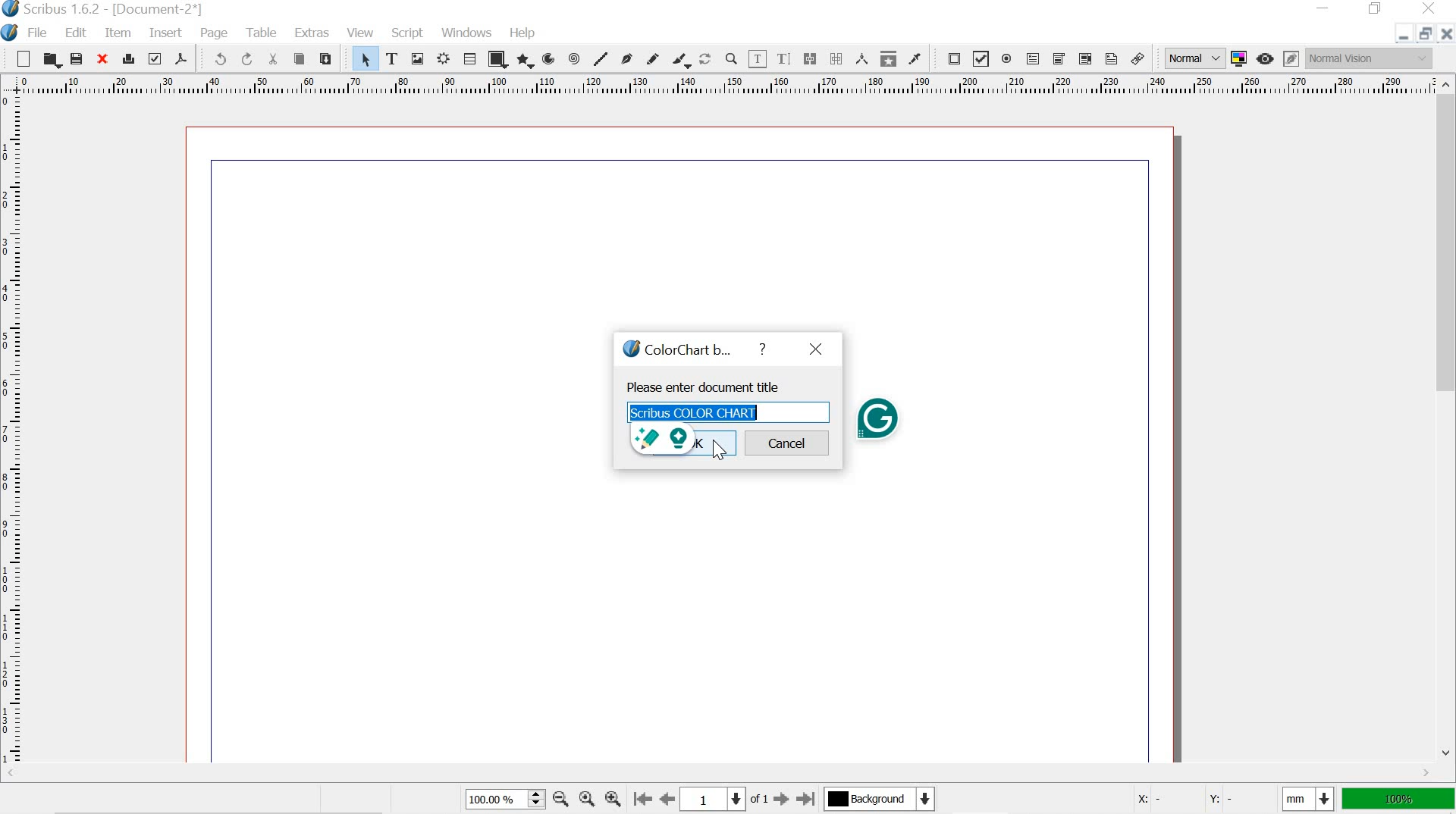 The image size is (1456, 814). What do you see at coordinates (600, 58) in the screenshot?
I see `line` at bounding box center [600, 58].